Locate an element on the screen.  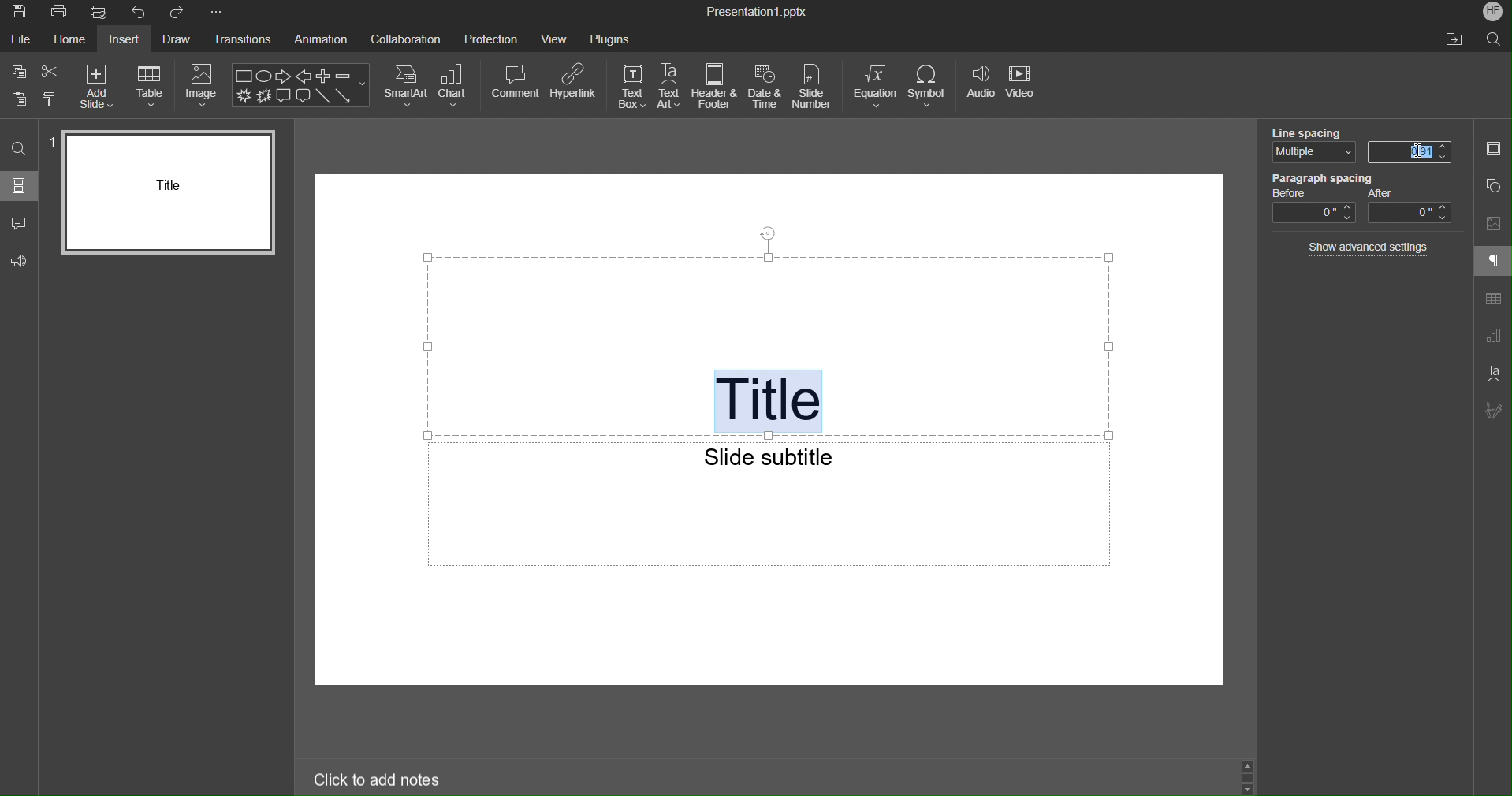
Multiple is located at coordinates (1309, 154).